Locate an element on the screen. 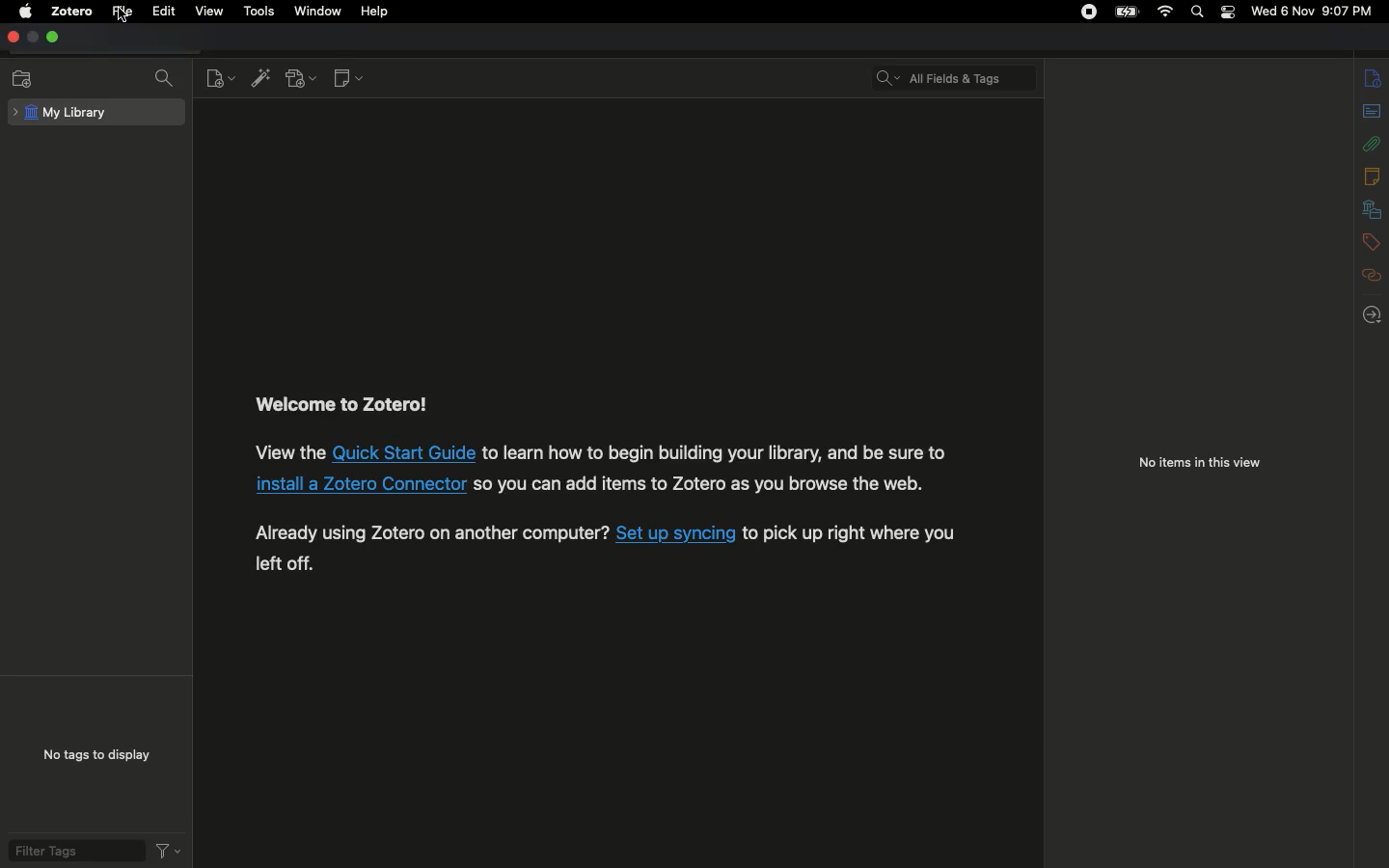 The width and height of the screenshot is (1389, 868). All files and tags is located at coordinates (959, 73).